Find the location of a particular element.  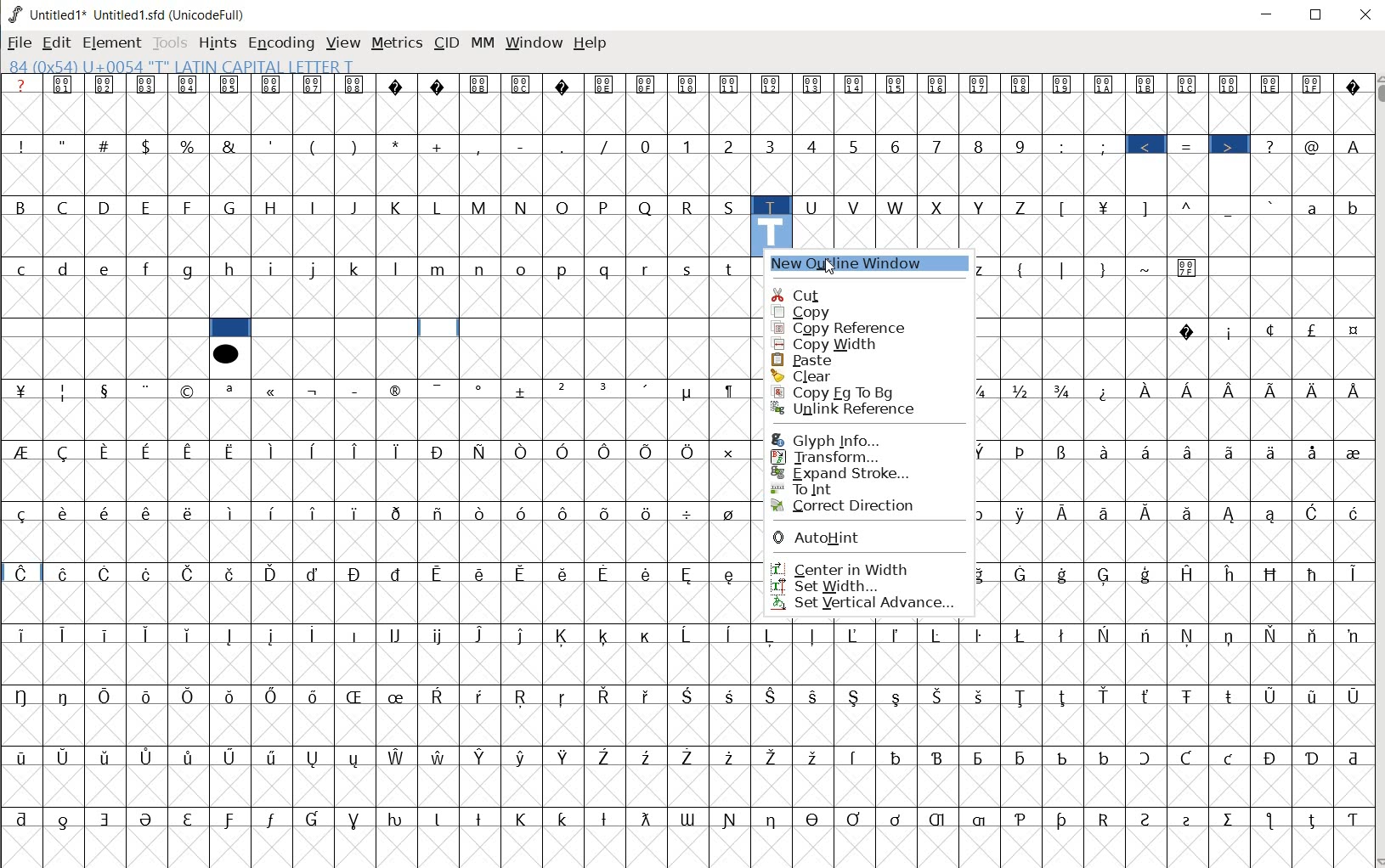

Symbol is located at coordinates (231, 451).